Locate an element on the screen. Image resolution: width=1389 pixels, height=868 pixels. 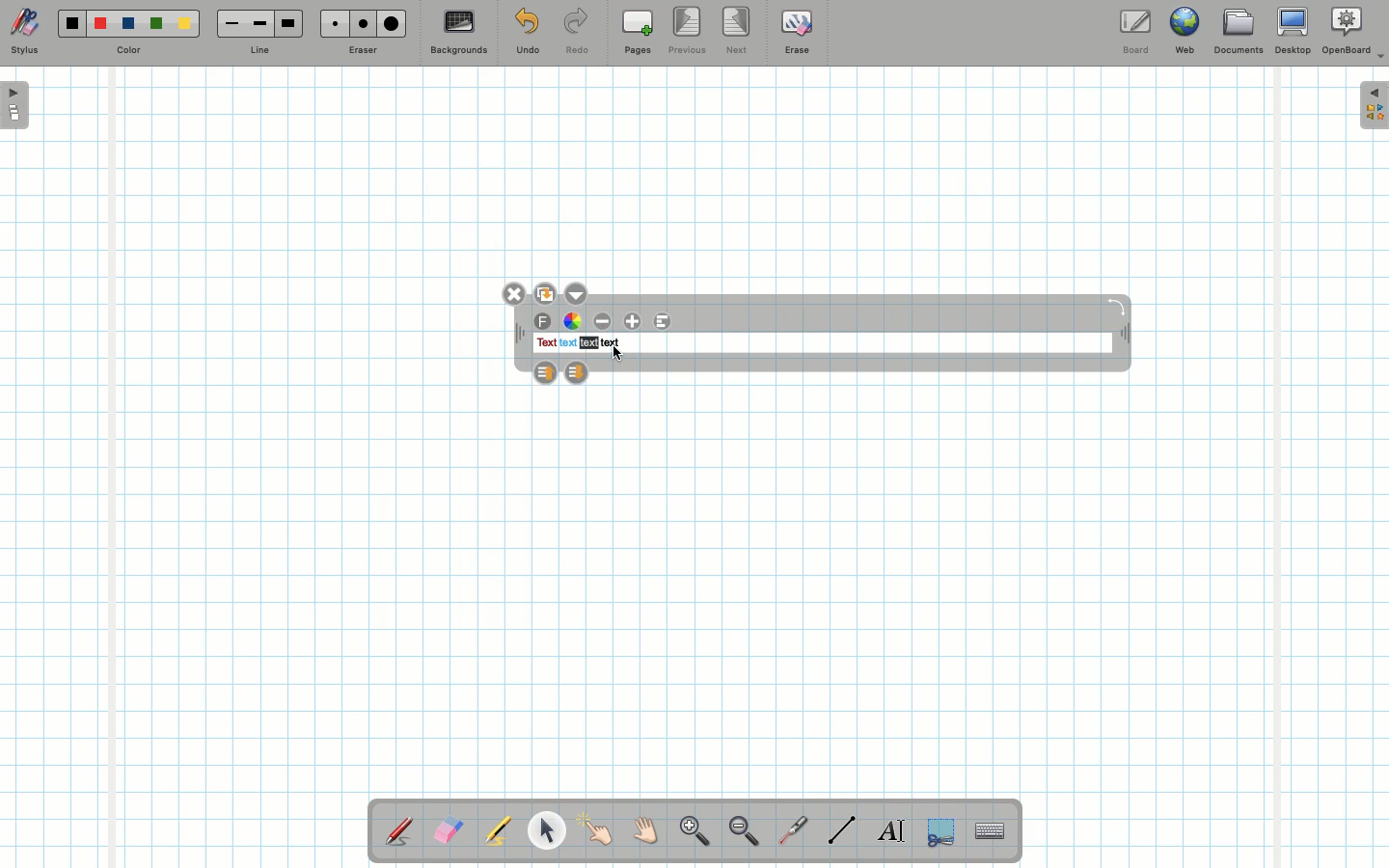
OpenBoard is located at coordinates (1353, 31).